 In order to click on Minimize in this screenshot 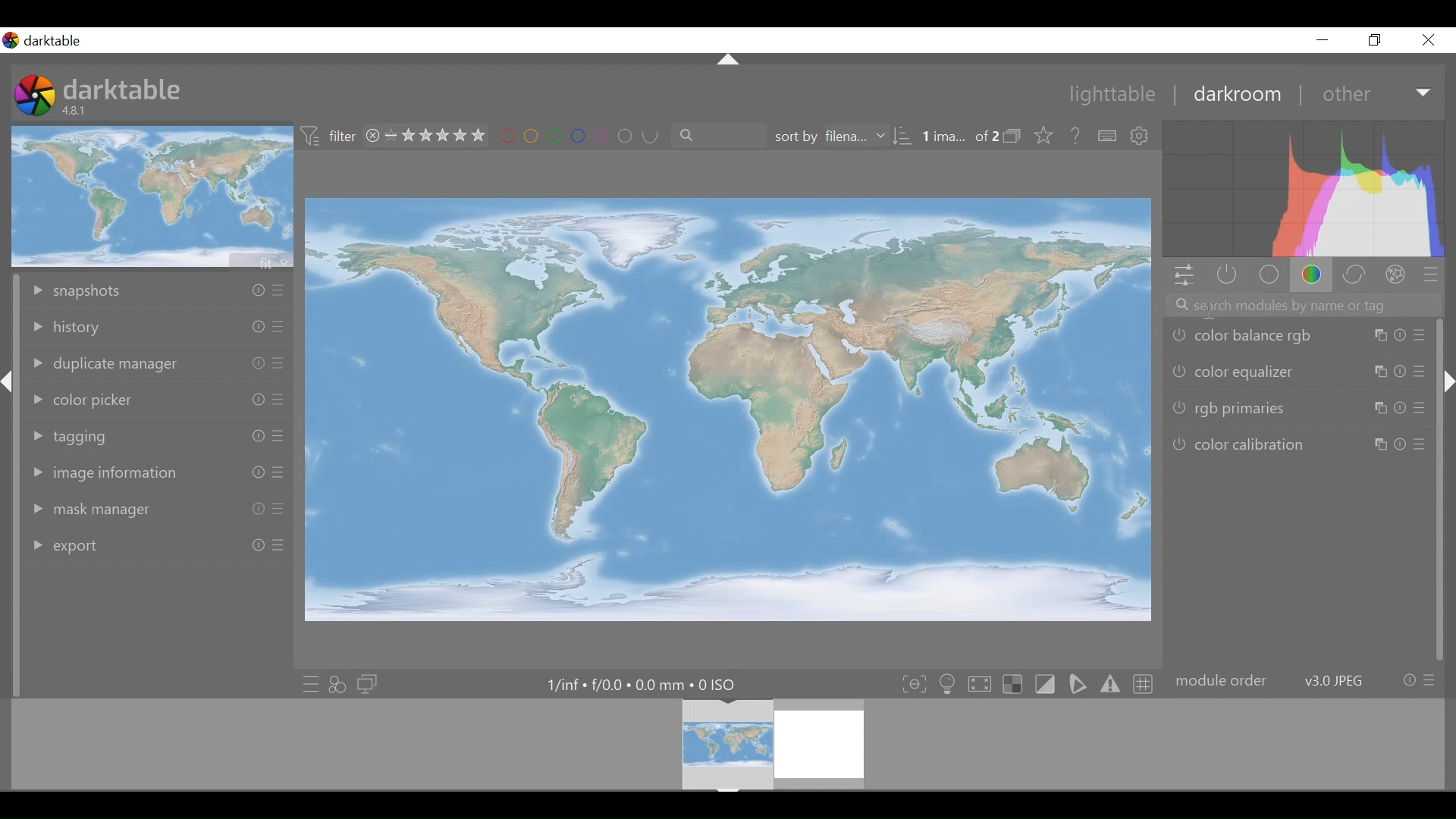, I will do `click(1323, 39)`.